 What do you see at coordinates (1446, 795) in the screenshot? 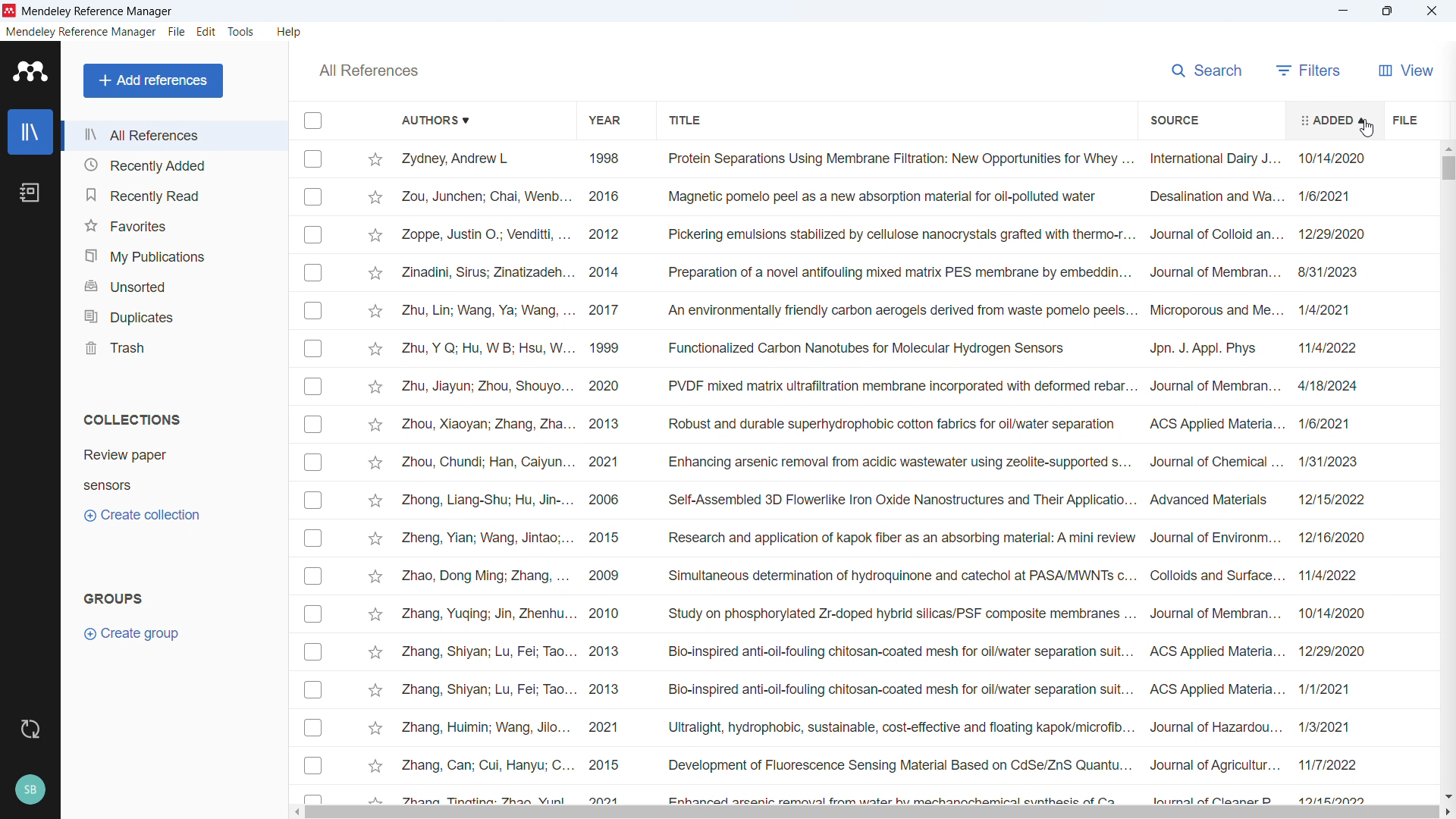
I see `Scroll down ` at bounding box center [1446, 795].